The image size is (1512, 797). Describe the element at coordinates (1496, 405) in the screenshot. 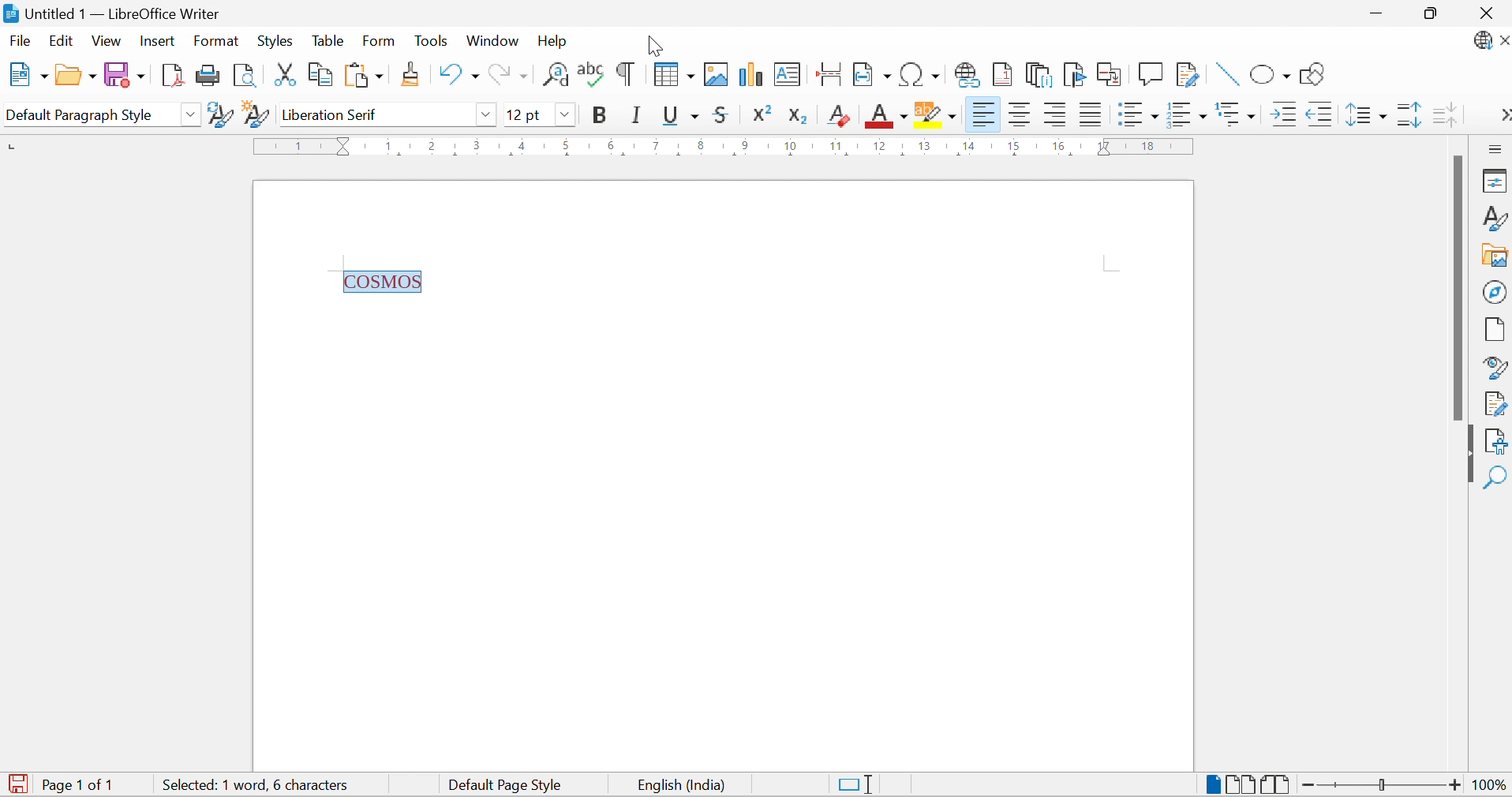

I see `Manage Changes` at that location.